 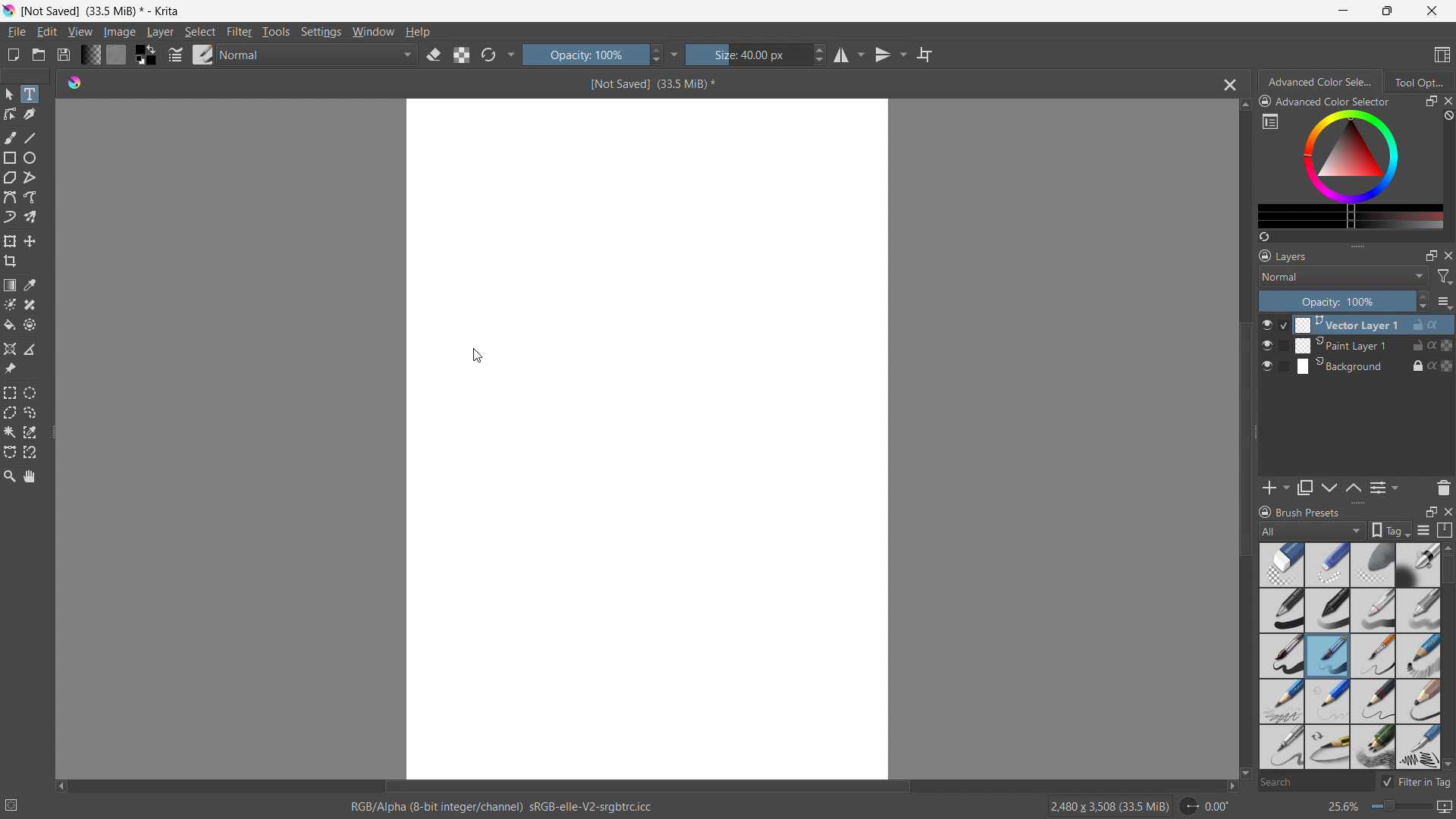 What do you see at coordinates (30, 305) in the screenshot?
I see `smart patch tool` at bounding box center [30, 305].